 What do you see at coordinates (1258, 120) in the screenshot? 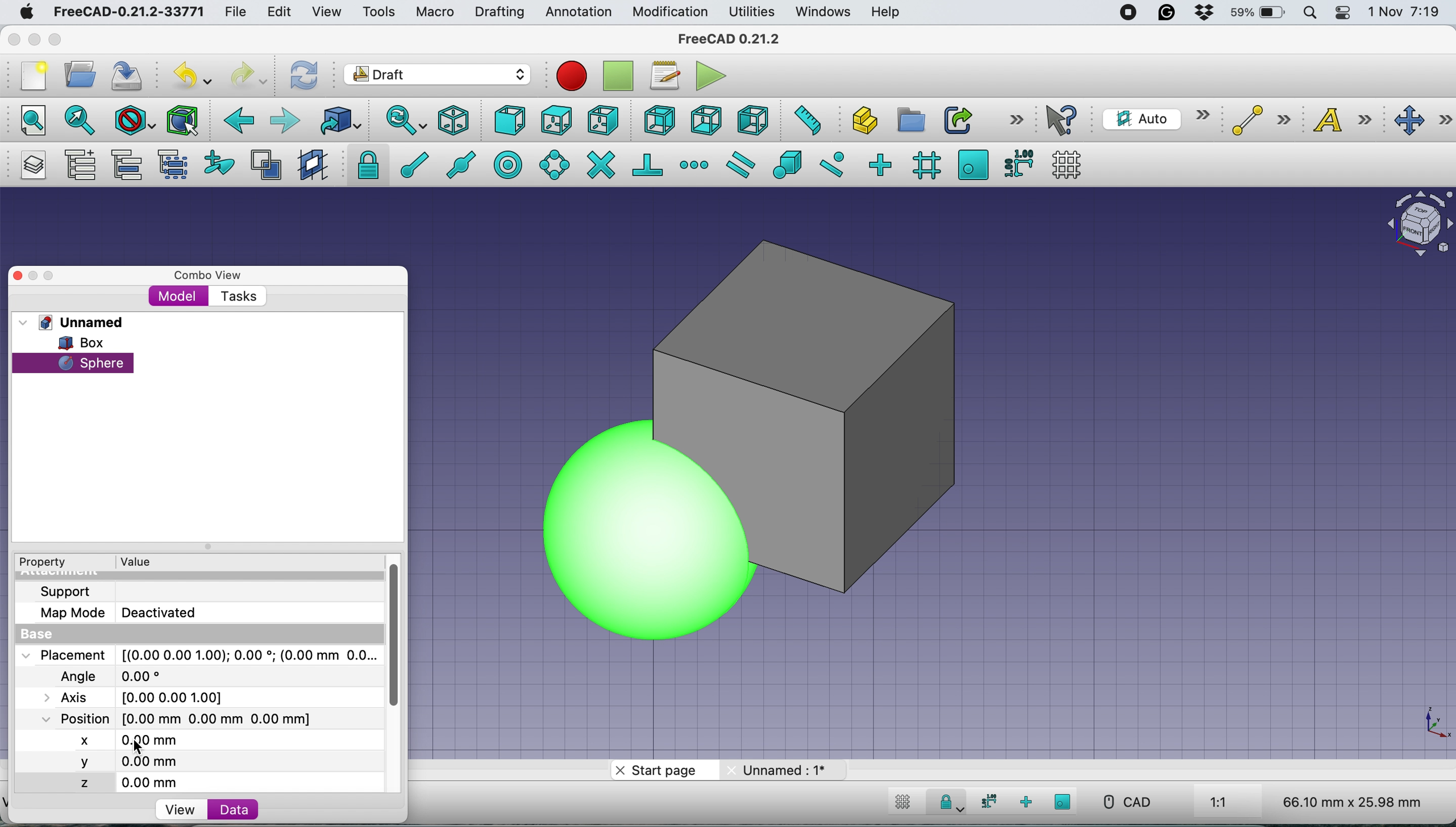
I see `line` at bounding box center [1258, 120].